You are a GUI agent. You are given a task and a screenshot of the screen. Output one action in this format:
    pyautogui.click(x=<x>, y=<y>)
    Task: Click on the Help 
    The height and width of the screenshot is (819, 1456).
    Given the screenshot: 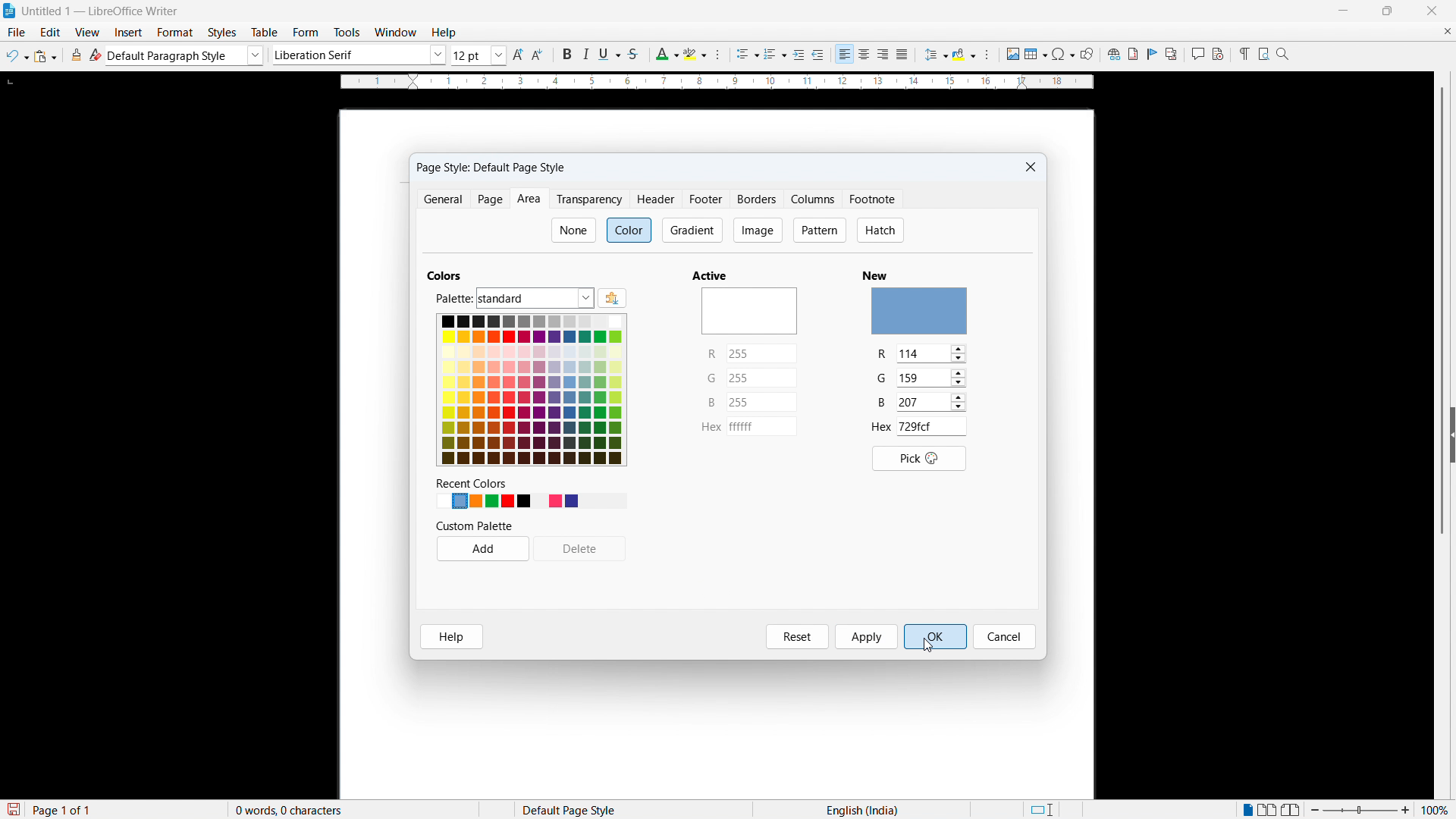 What is the action you would take?
    pyautogui.click(x=452, y=636)
    